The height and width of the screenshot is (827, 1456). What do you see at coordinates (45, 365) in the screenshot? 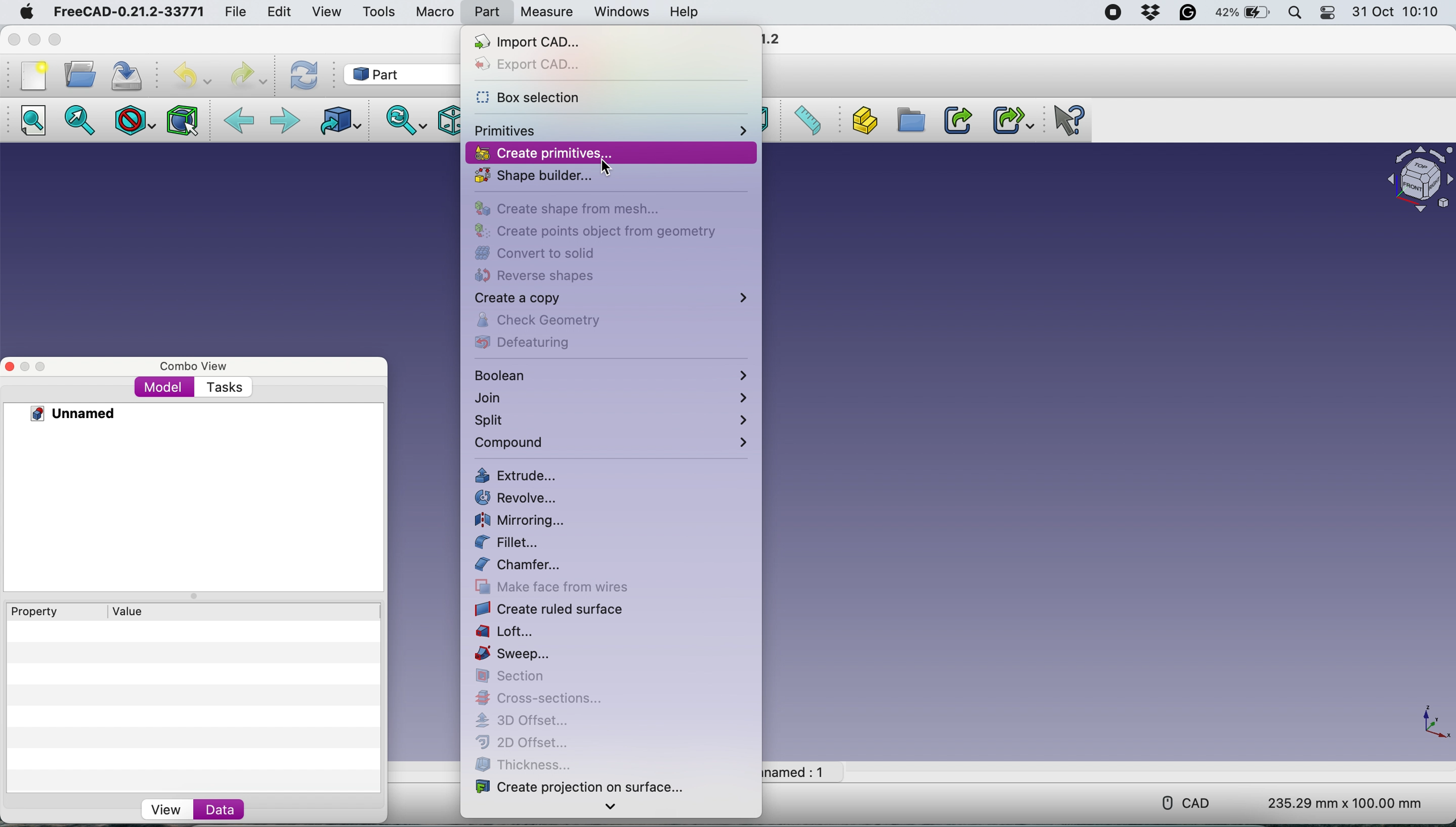
I see `Maximize` at bounding box center [45, 365].